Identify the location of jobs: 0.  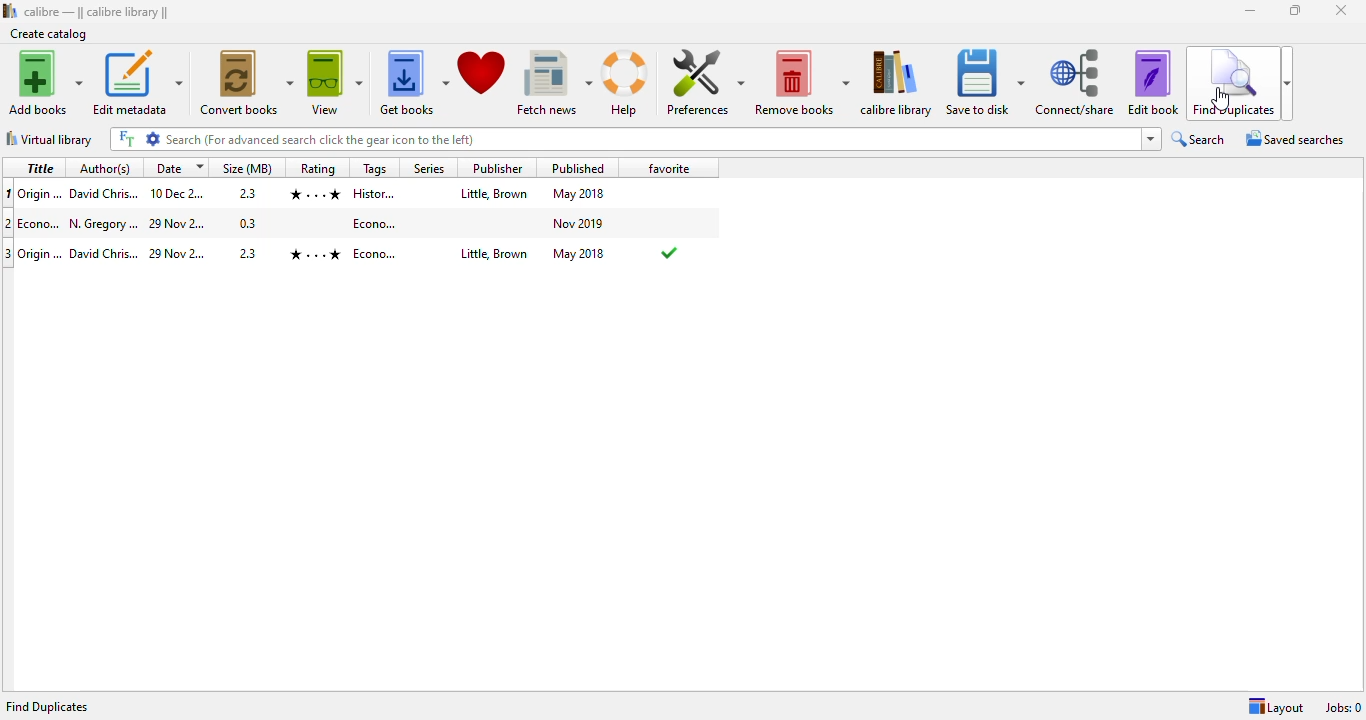
(1342, 708).